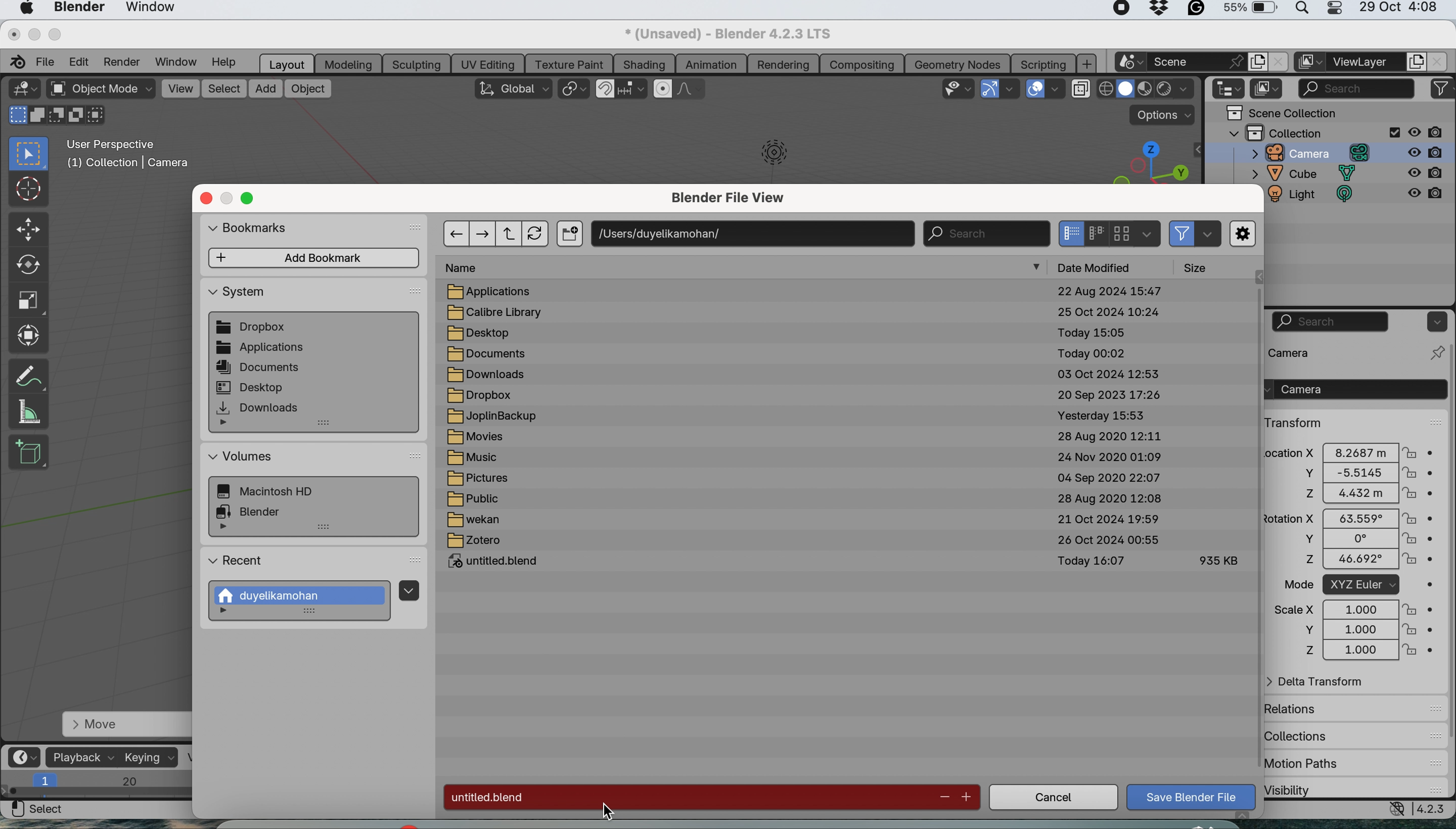  I want to click on animation, so click(711, 65).